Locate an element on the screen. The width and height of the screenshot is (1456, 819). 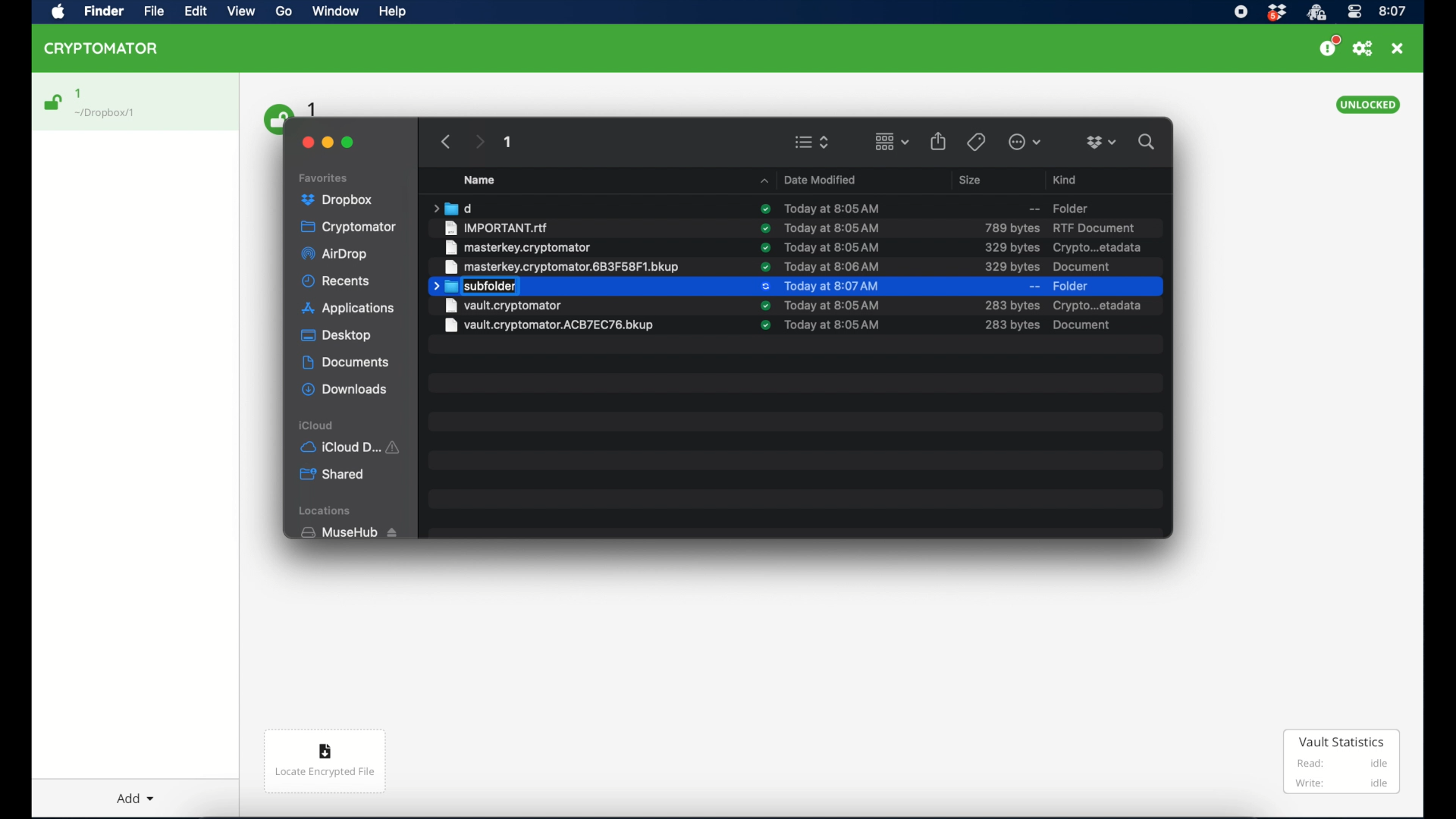
file name is located at coordinates (550, 306).